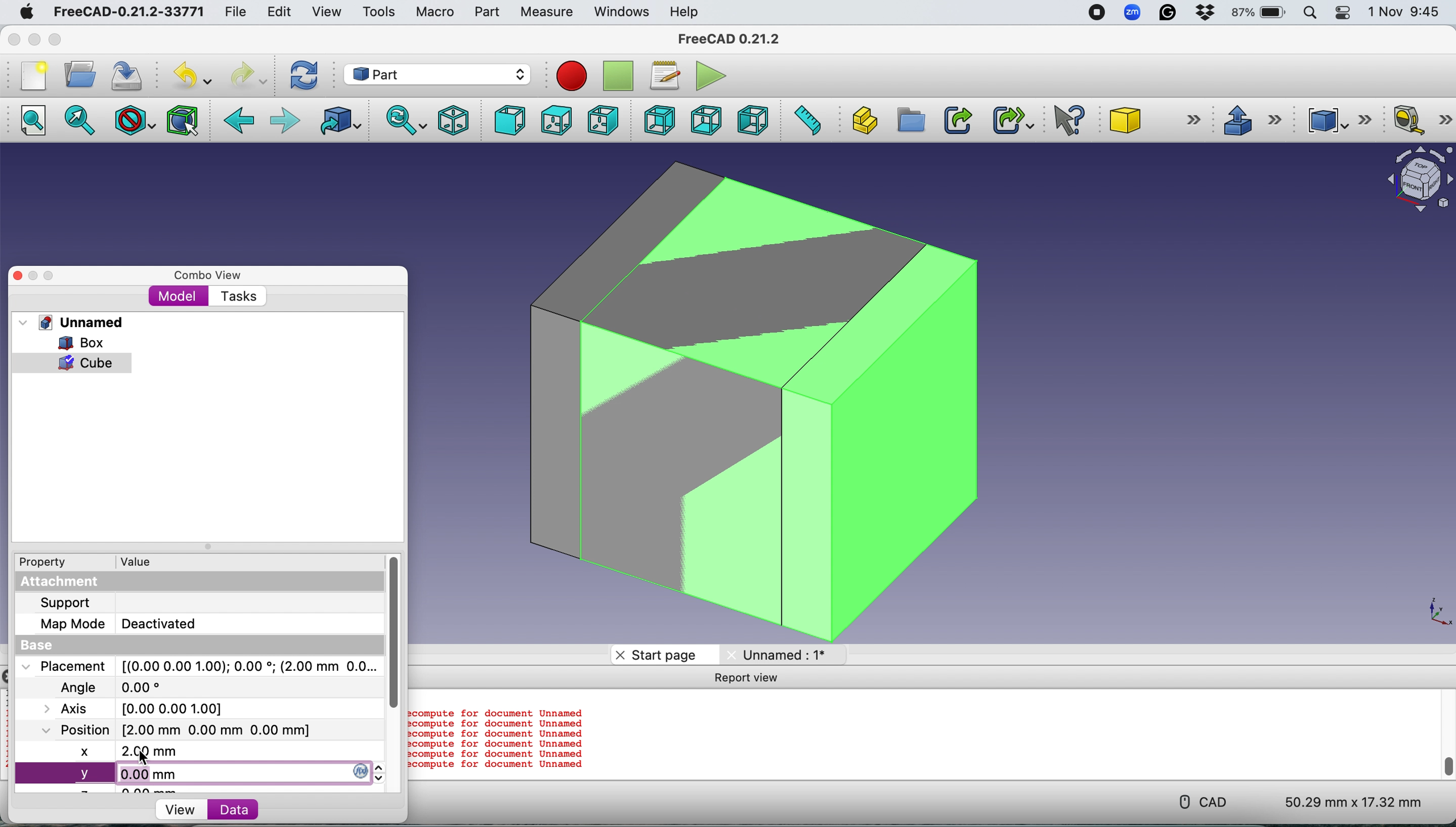  What do you see at coordinates (285, 122) in the screenshot?
I see `Forward` at bounding box center [285, 122].